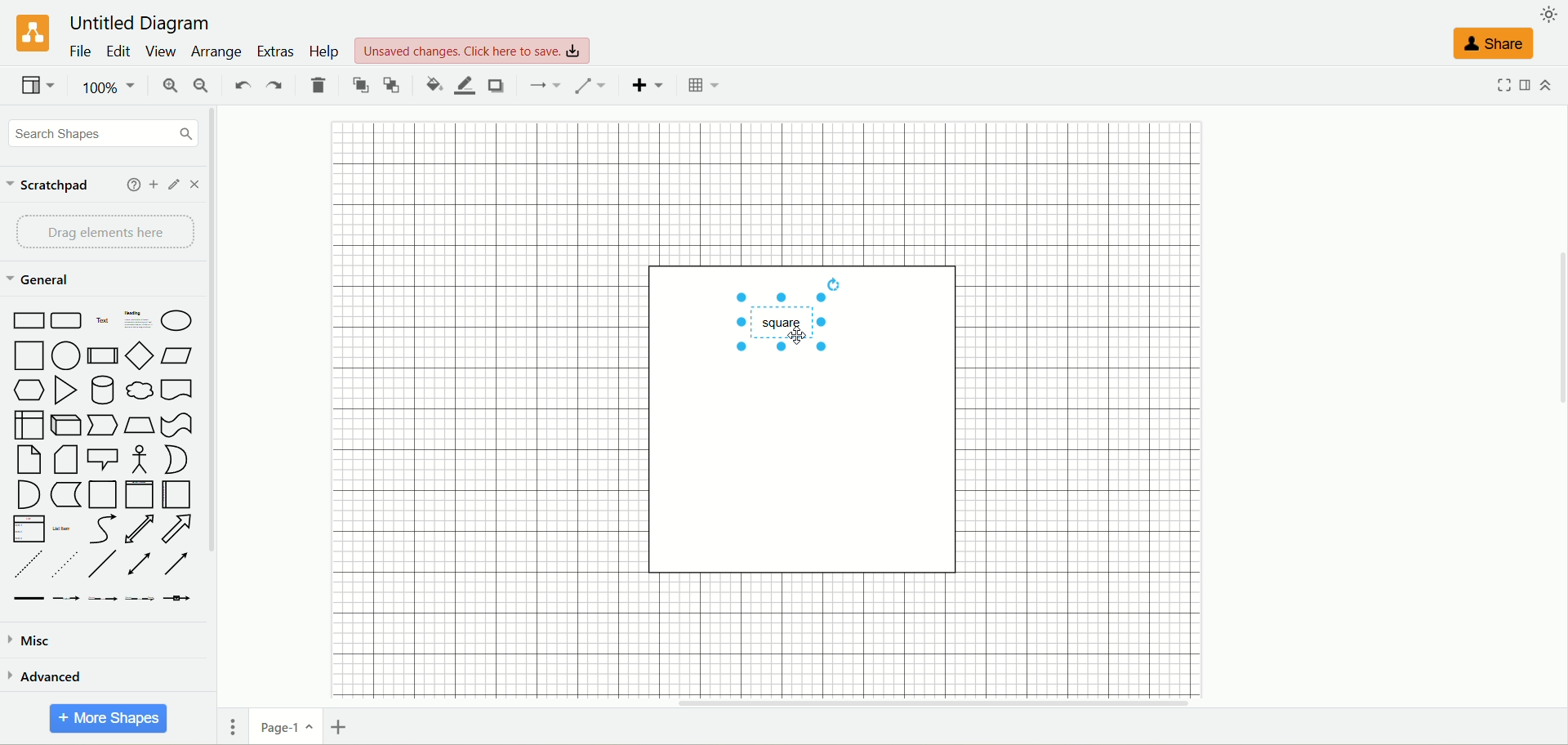  What do you see at coordinates (1523, 86) in the screenshot?
I see `format` at bounding box center [1523, 86].